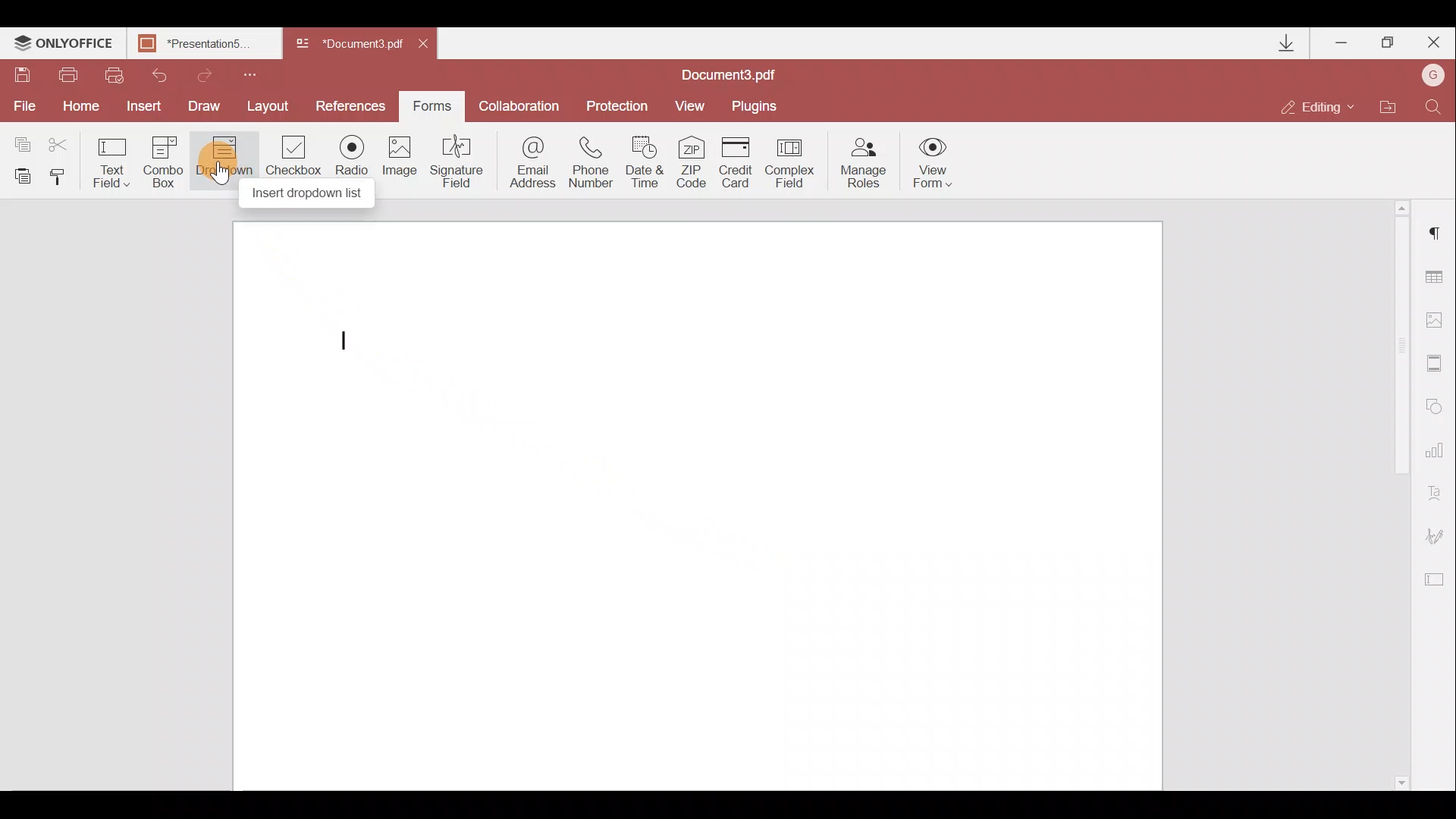 This screenshot has height=819, width=1456. Describe the element at coordinates (208, 106) in the screenshot. I see `Draw` at that location.